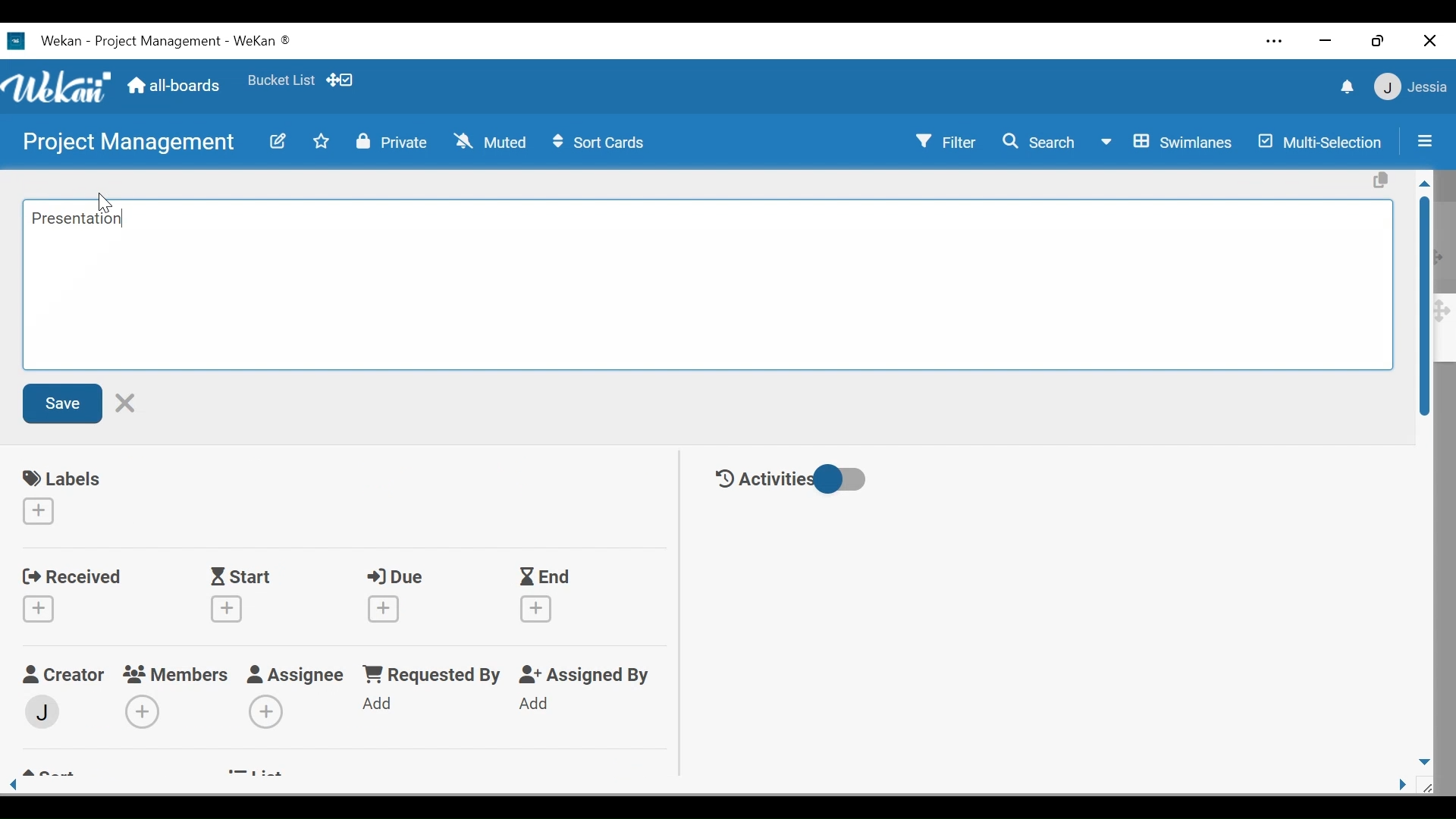 This screenshot has width=1456, height=819. What do you see at coordinates (1349, 88) in the screenshot?
I see `notification` at bounding box center [1349, 88].